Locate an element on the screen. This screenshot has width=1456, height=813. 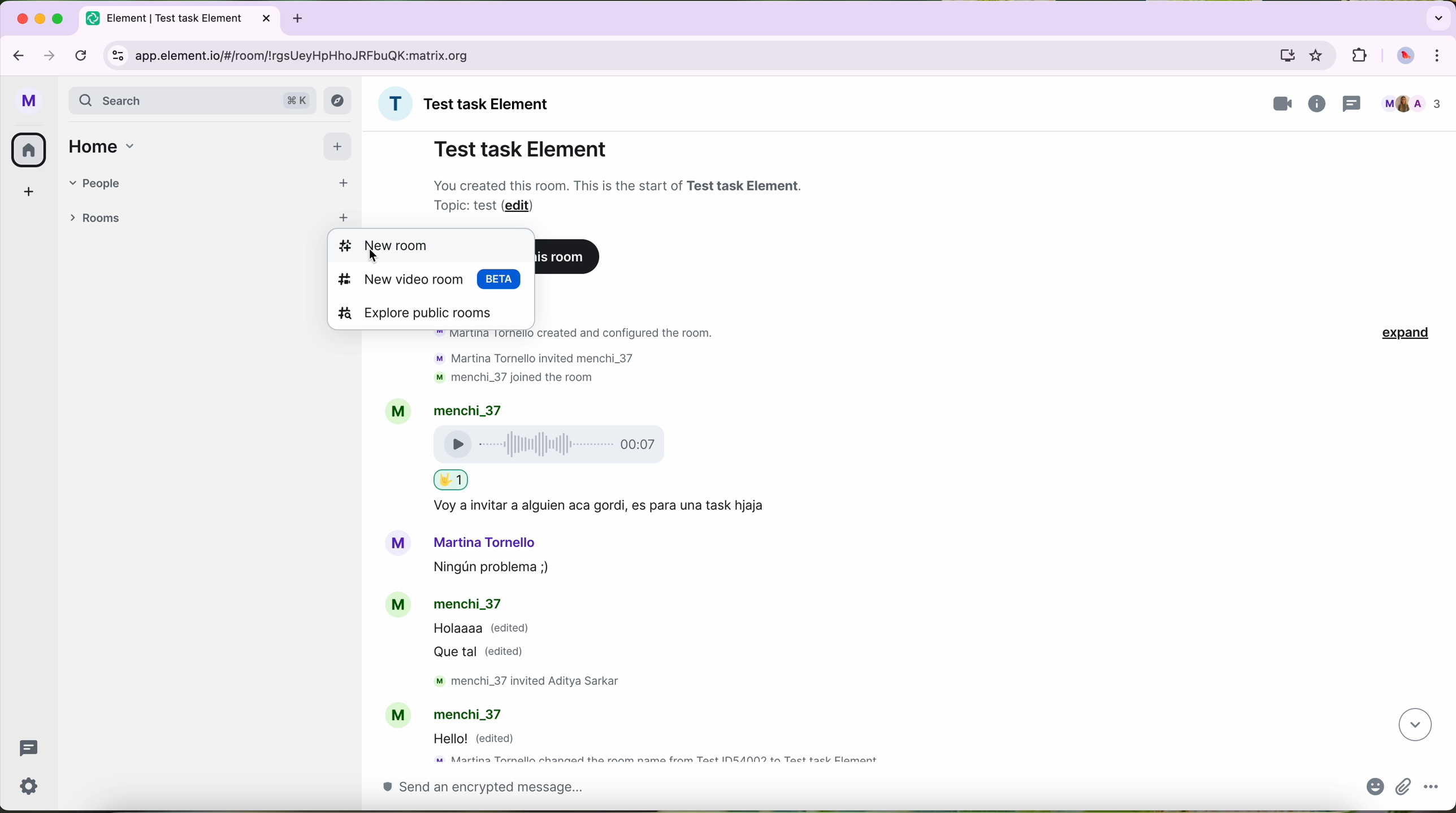
emojis is located at coordinates (1372, 790).